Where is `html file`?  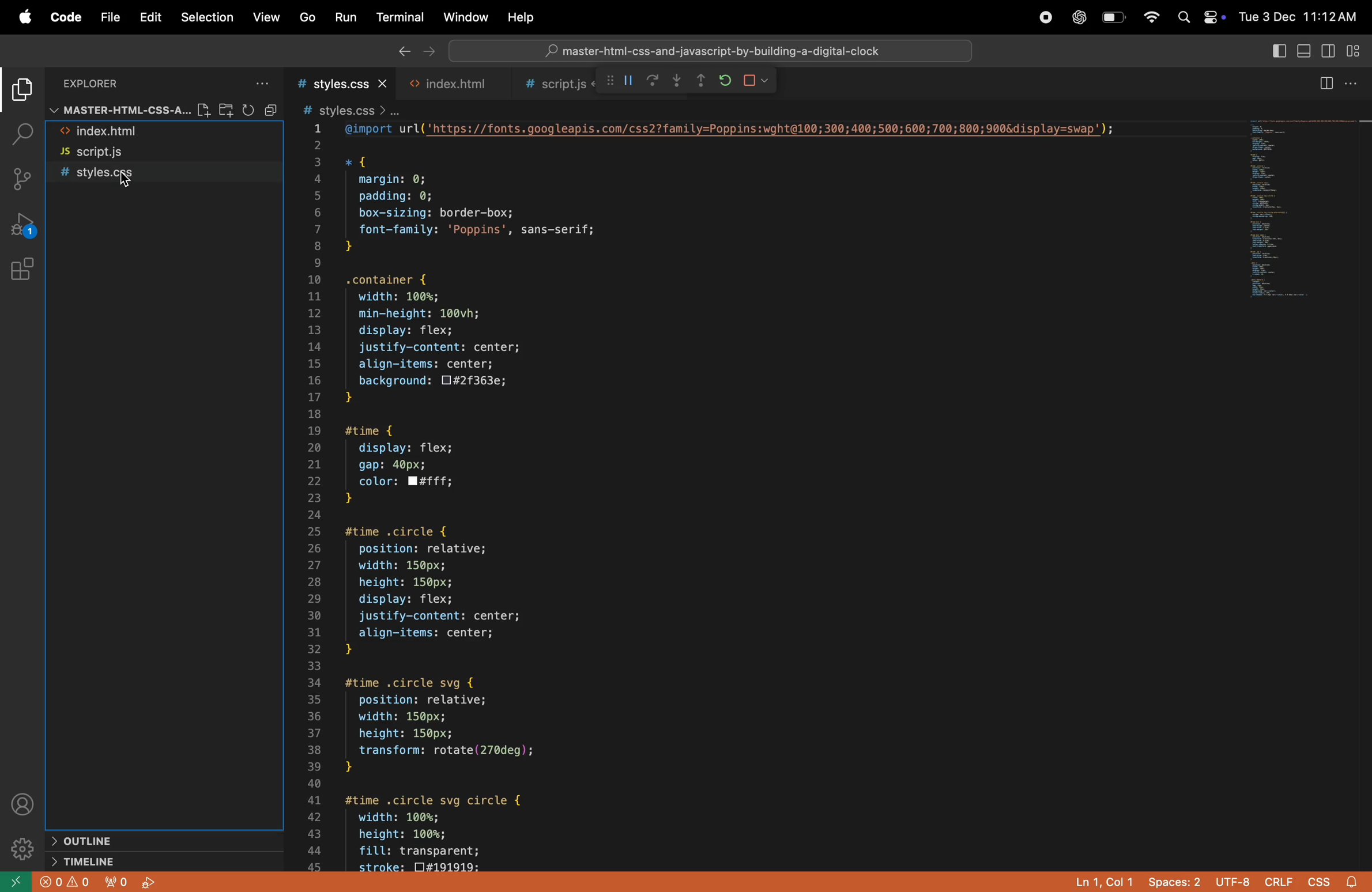 html file is located at coordinates (126, 134).